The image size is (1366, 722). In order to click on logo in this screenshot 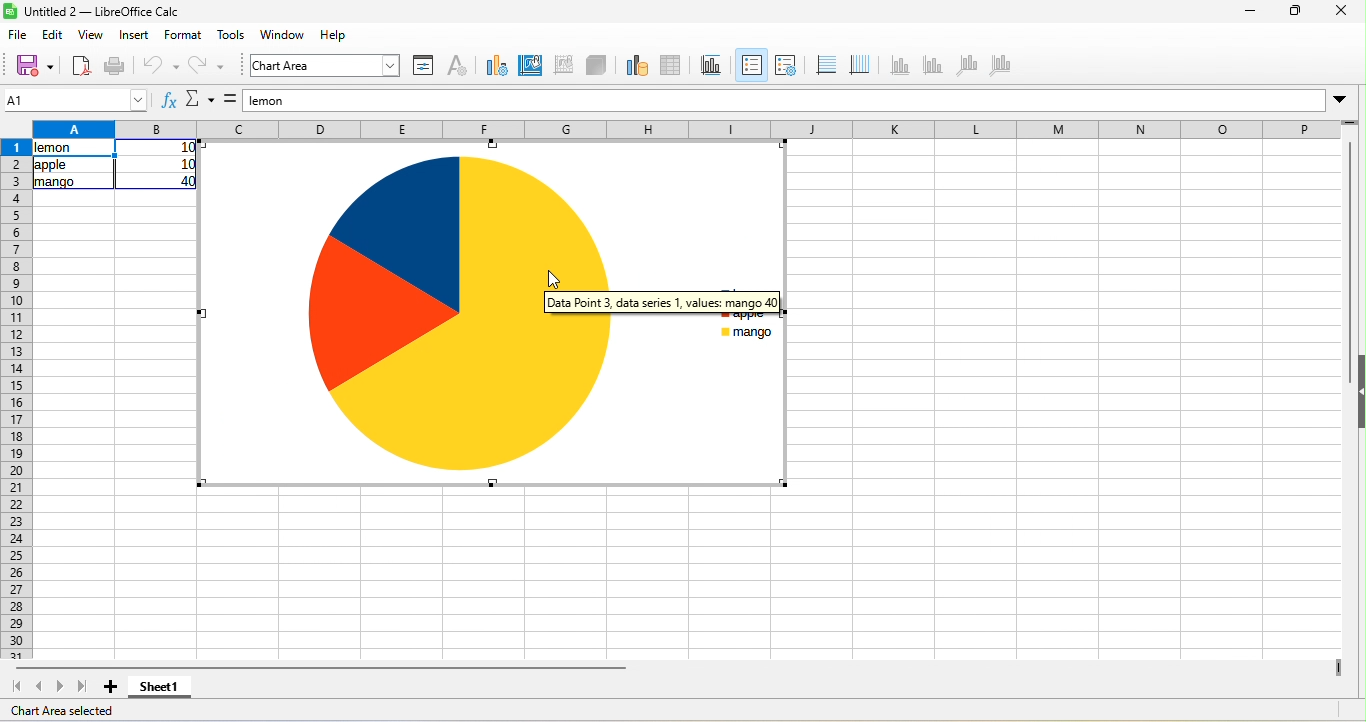, I will do `click(11, 12)`.